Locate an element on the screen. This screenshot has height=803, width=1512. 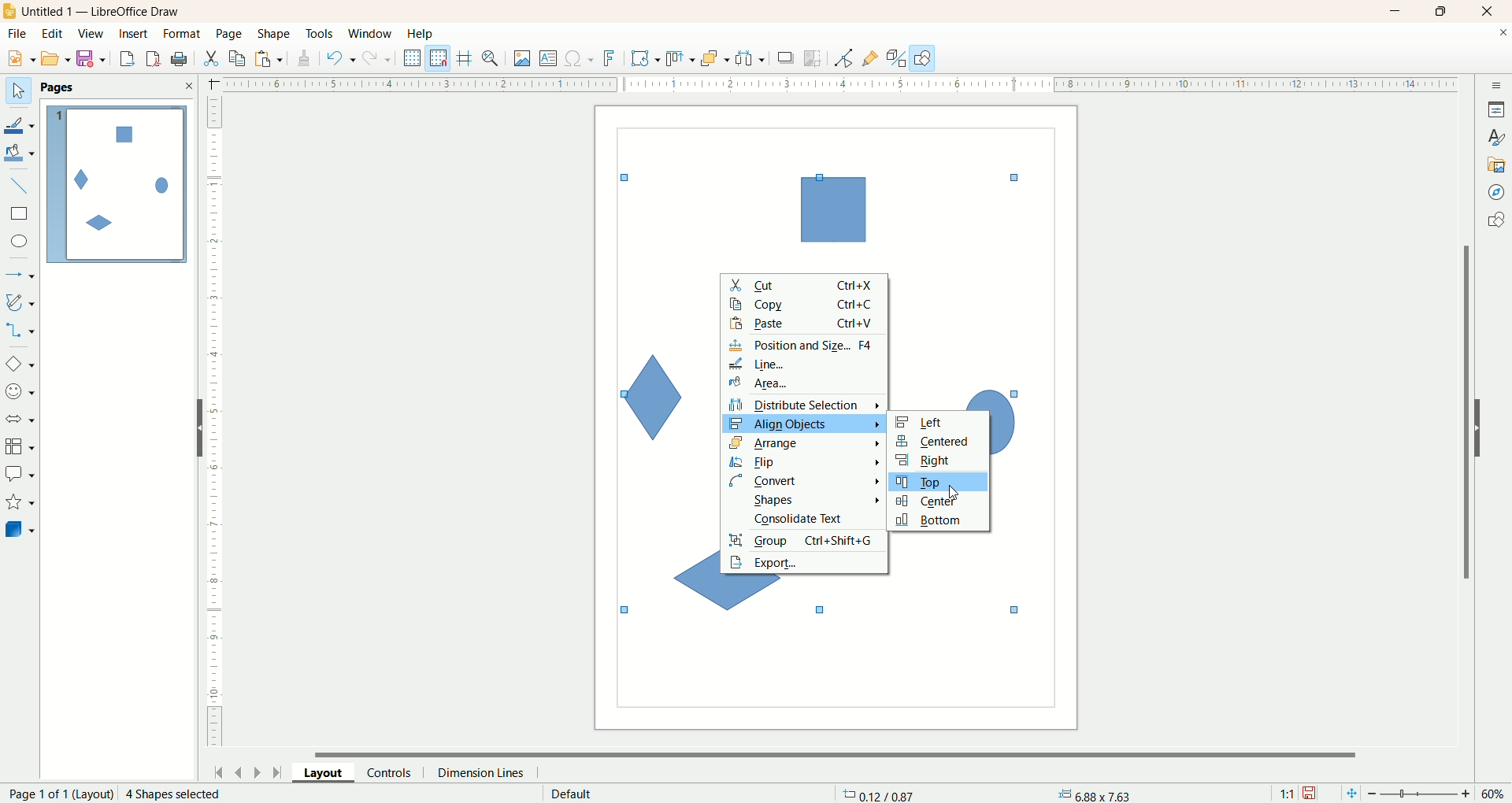
line color is located at coordinates (20, 124).